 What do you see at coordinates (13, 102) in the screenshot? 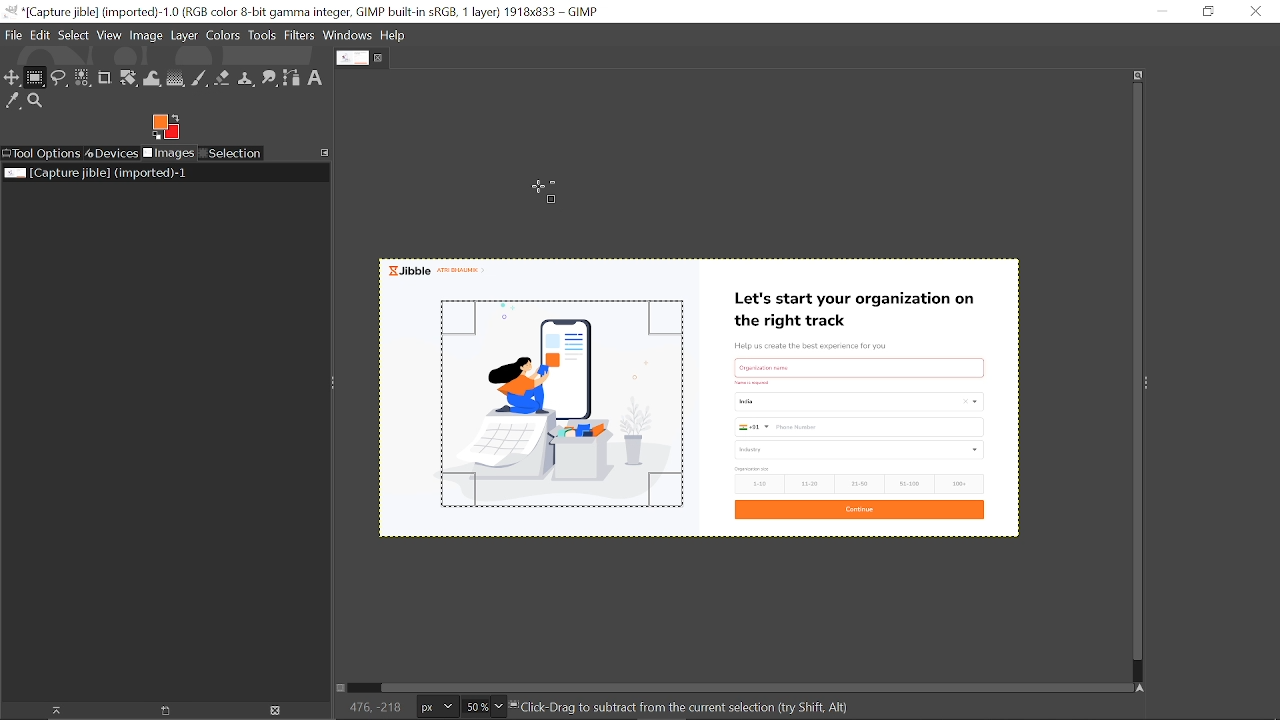
I see `Color picker tool` at bounding box center [13, 102].